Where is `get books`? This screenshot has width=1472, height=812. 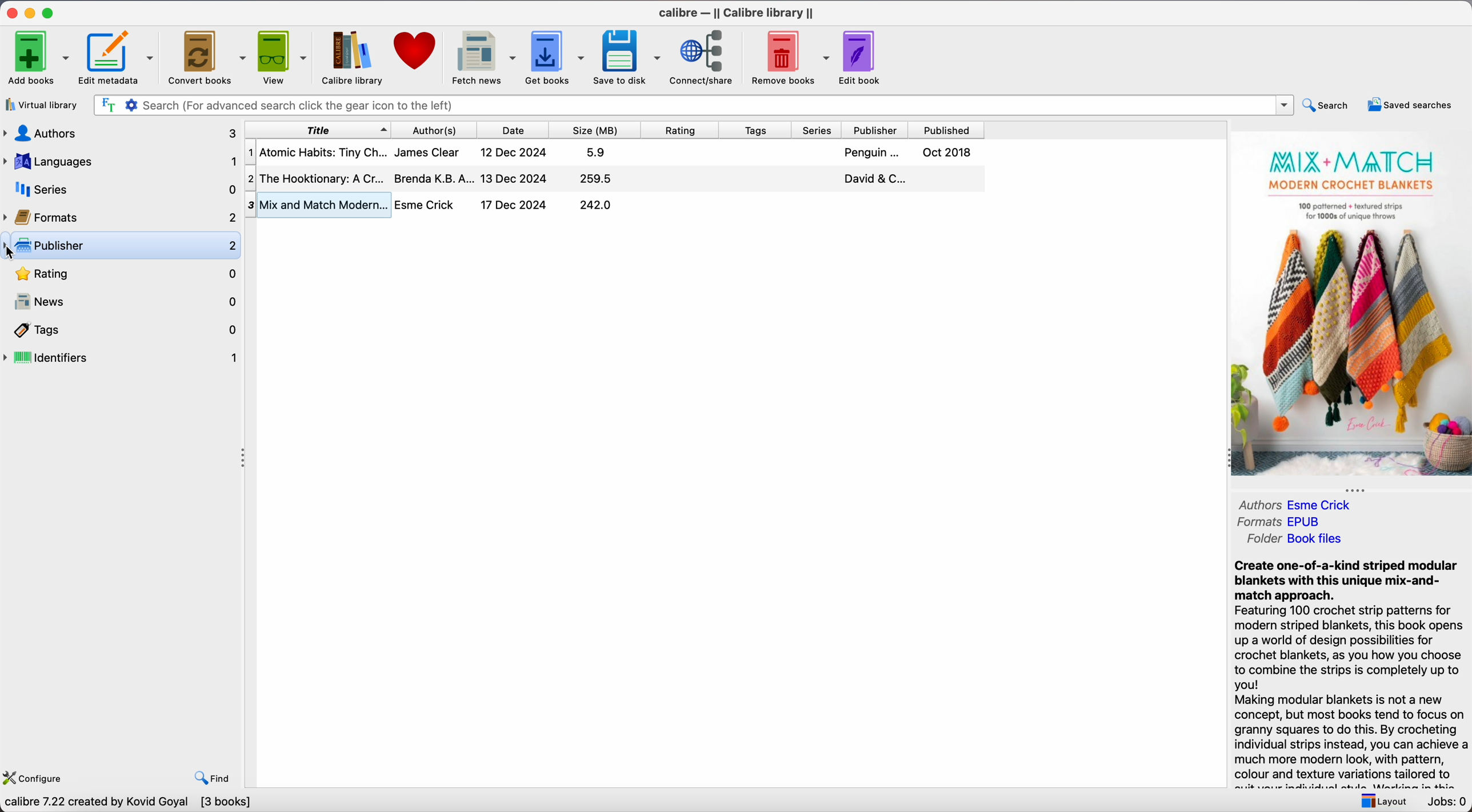
get books is located at coordinates (557, 57).